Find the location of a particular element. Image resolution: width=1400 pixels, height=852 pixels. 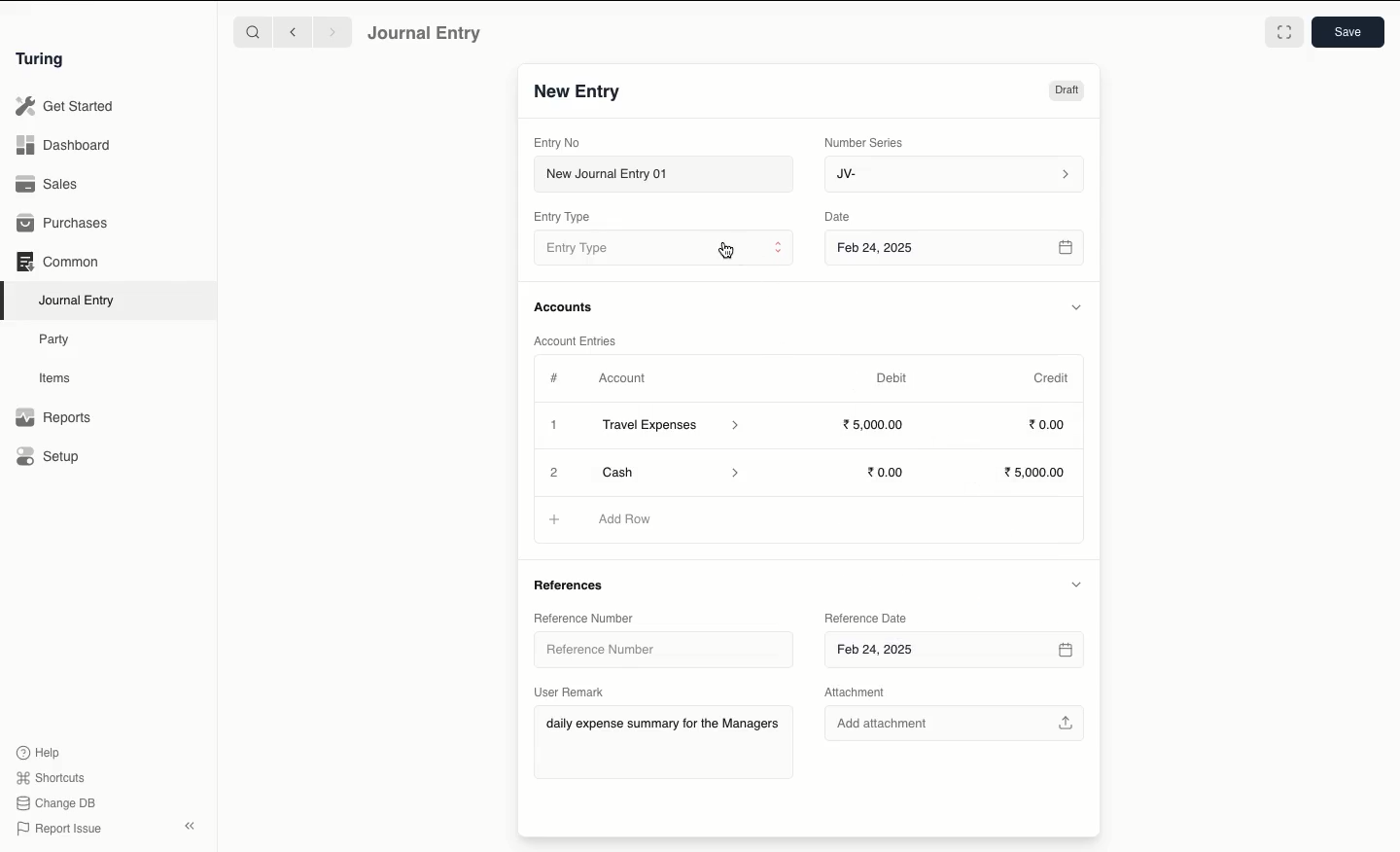

Accounts is located at coordinates (565, 307).